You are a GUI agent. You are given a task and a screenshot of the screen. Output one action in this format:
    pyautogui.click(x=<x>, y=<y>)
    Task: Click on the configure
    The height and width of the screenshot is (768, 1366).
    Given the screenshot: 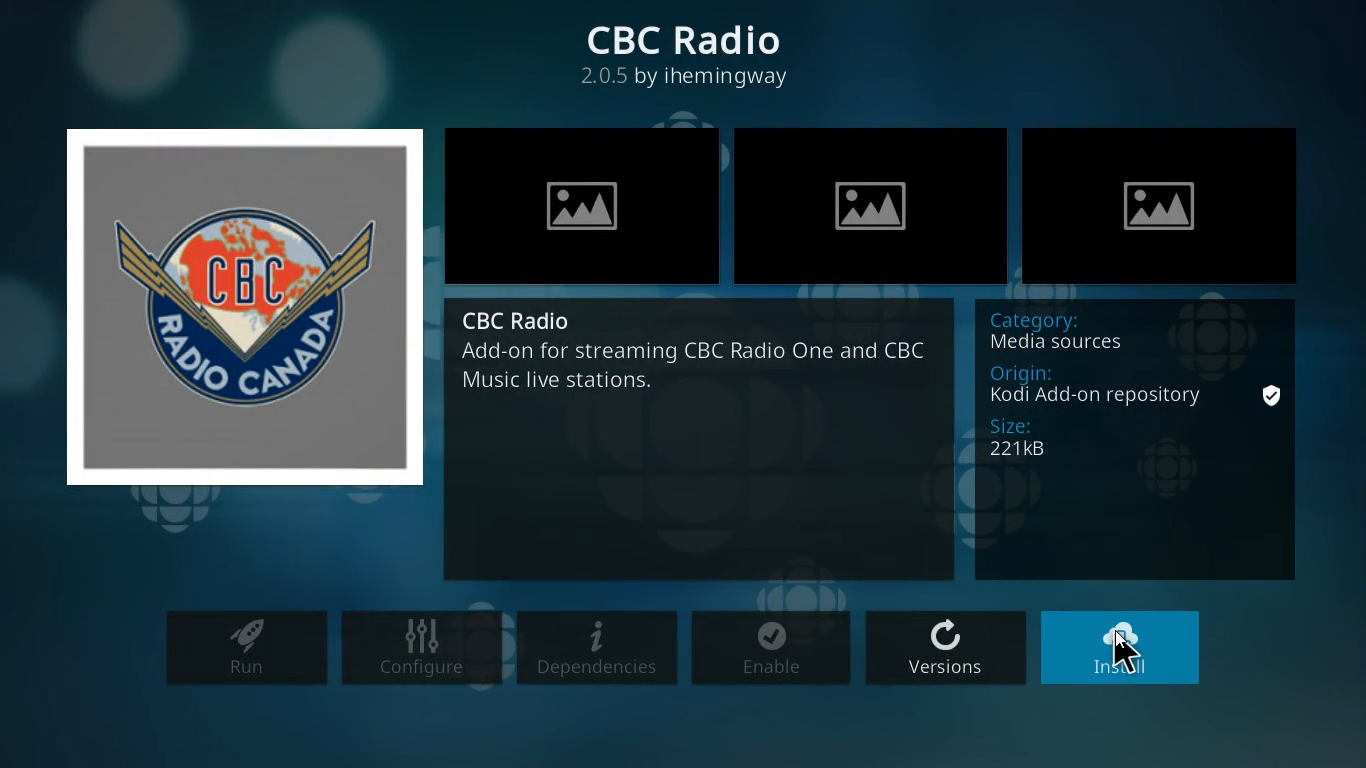 What is the action you would take?
    pyautogui.click(x=422, y=648)
    